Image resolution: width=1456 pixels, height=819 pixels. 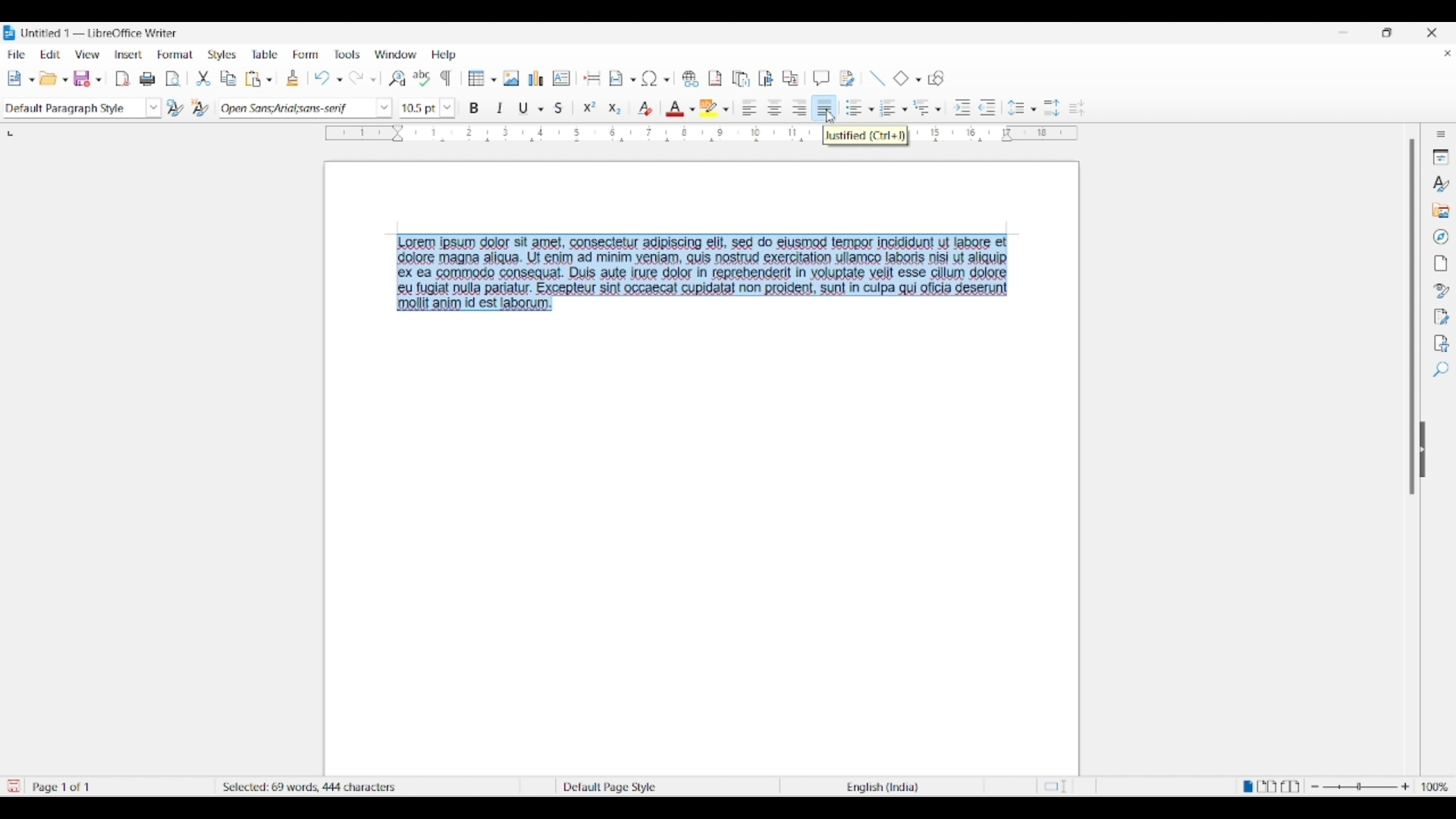 What do you see at coordinates (446, 78) in the screenshot?
I see `Toggle formatting marks` at bounding box center [446, 78].